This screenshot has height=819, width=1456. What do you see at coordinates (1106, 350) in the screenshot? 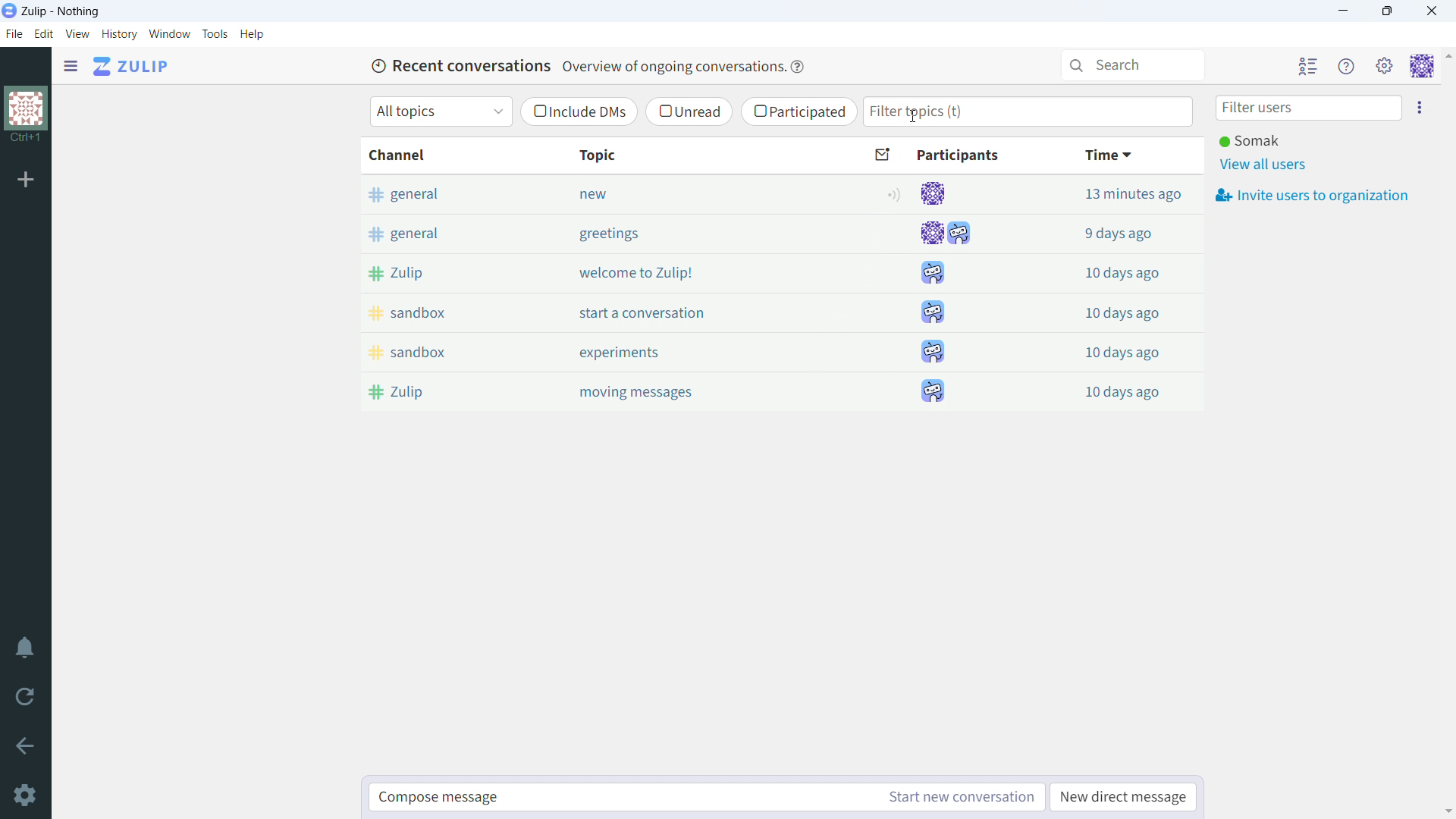
I see `10 days ago` at bounding box center [1106, 350].